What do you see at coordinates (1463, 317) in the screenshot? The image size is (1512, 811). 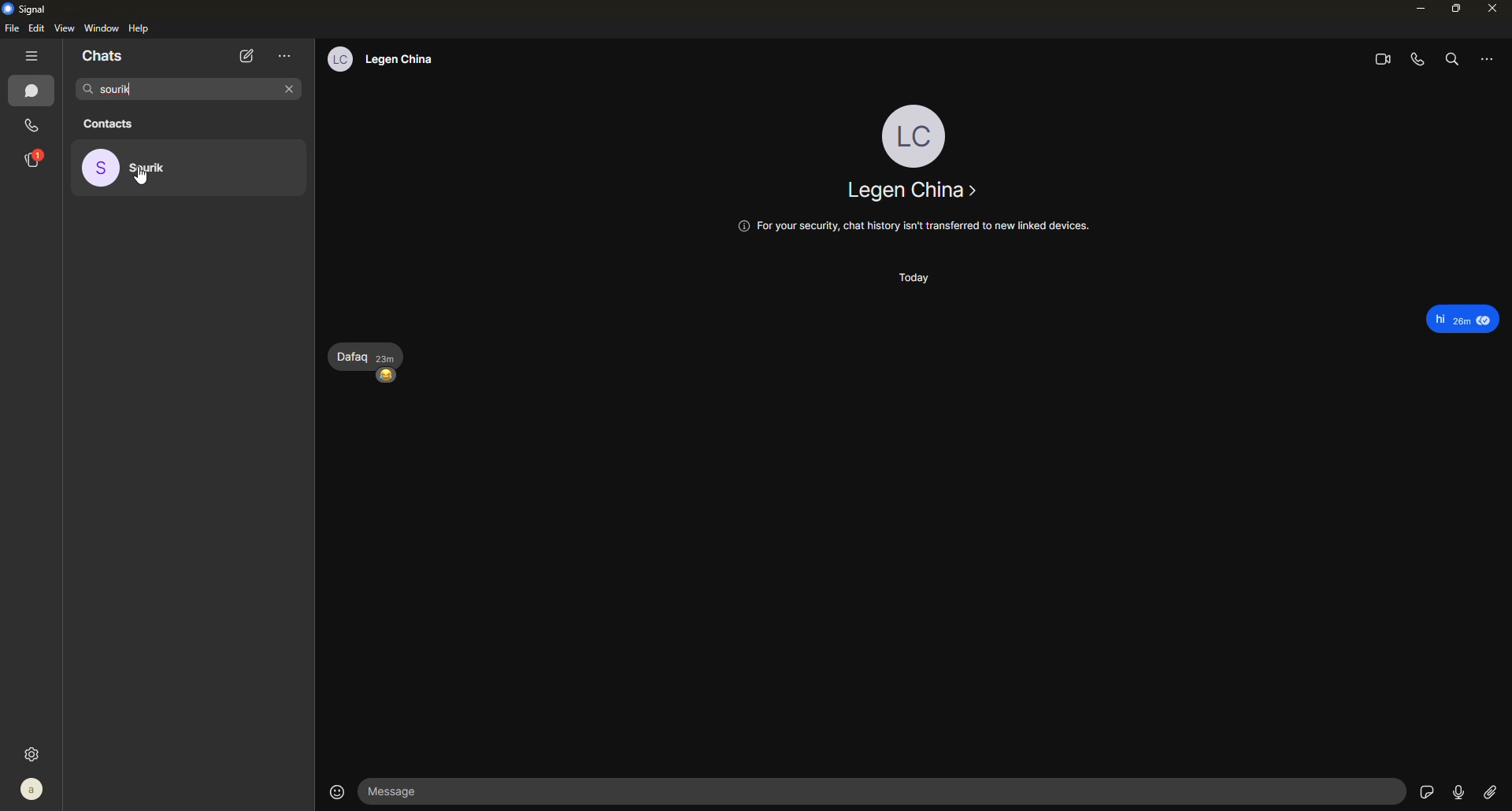 I see `Hi 20m` at bounding box center [1463, 317].